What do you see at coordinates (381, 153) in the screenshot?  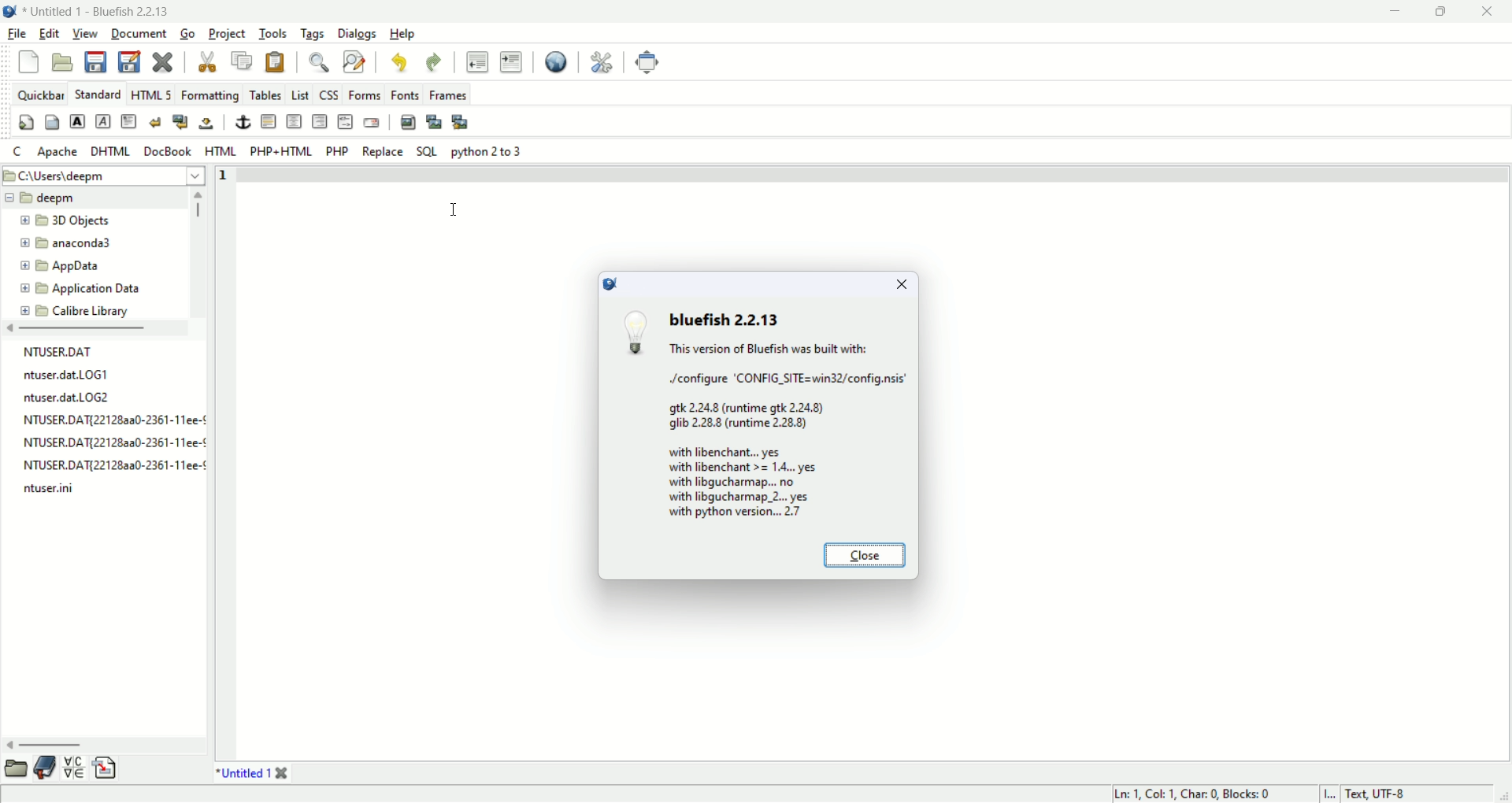 I see `Replace` at bounding box center [381, 153].